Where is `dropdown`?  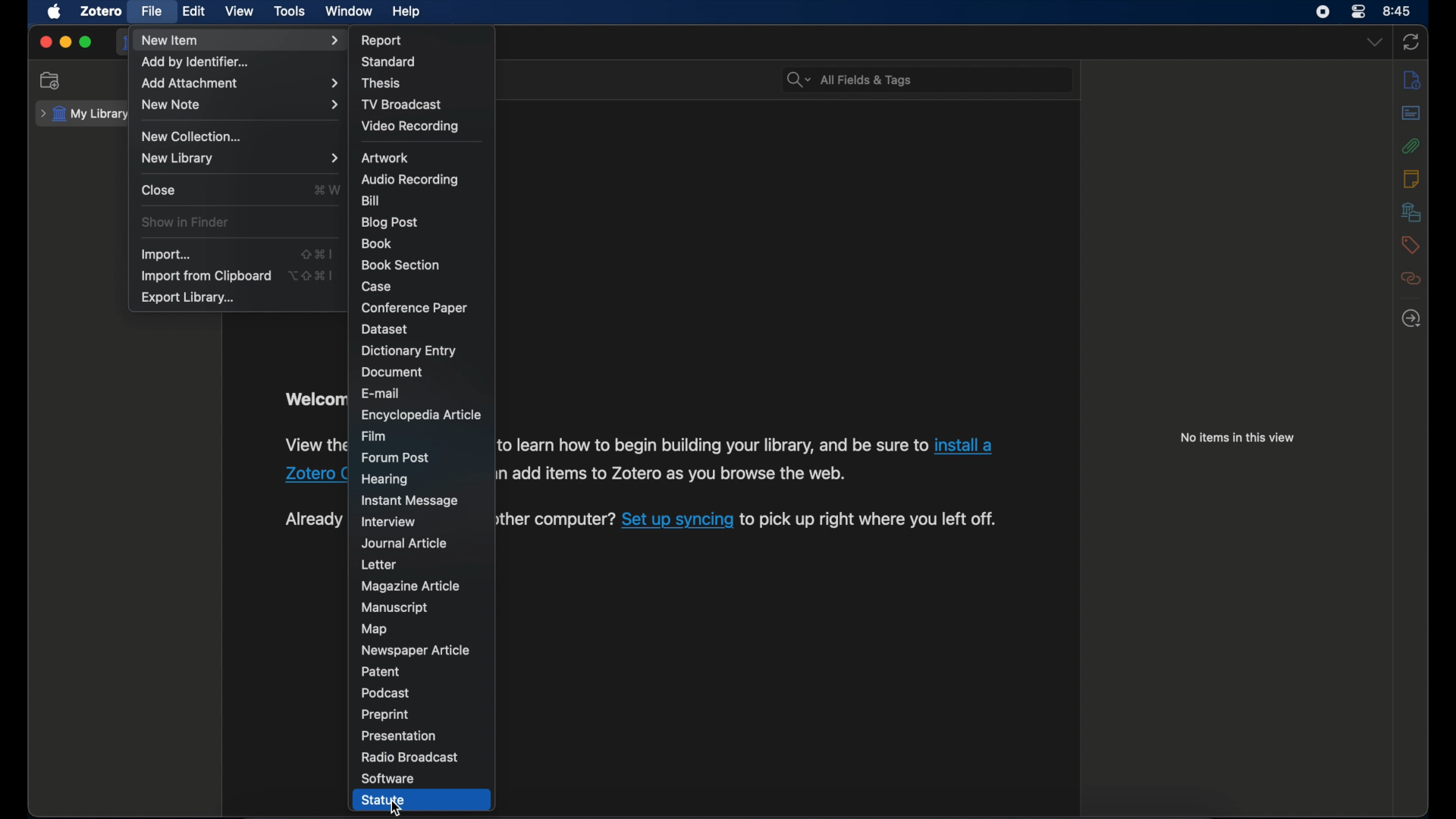
dropdown is located at coordinates (1373, 43).